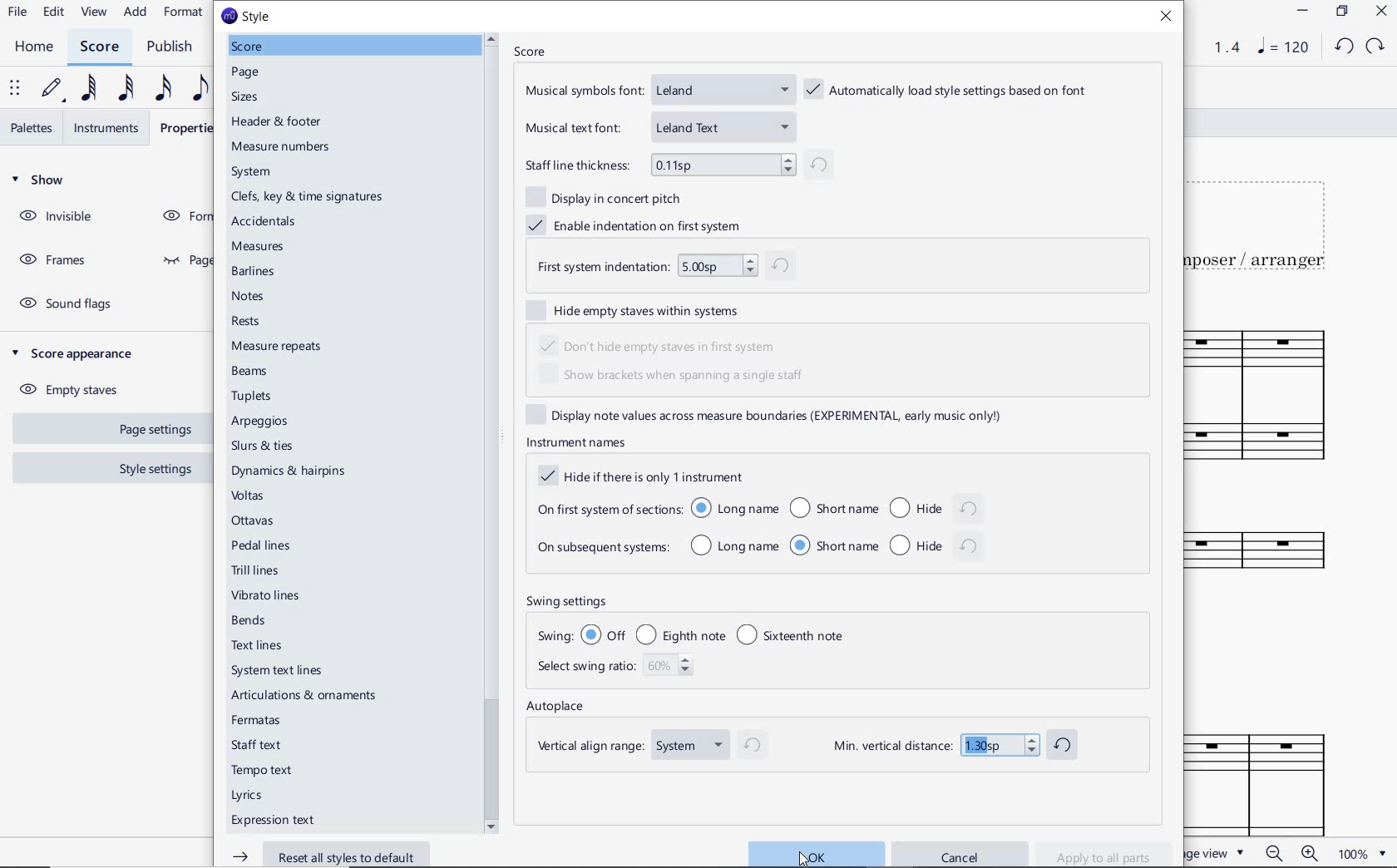 This screenshot has height=868, width=1397. I want to click on ests, so click(247, 322).